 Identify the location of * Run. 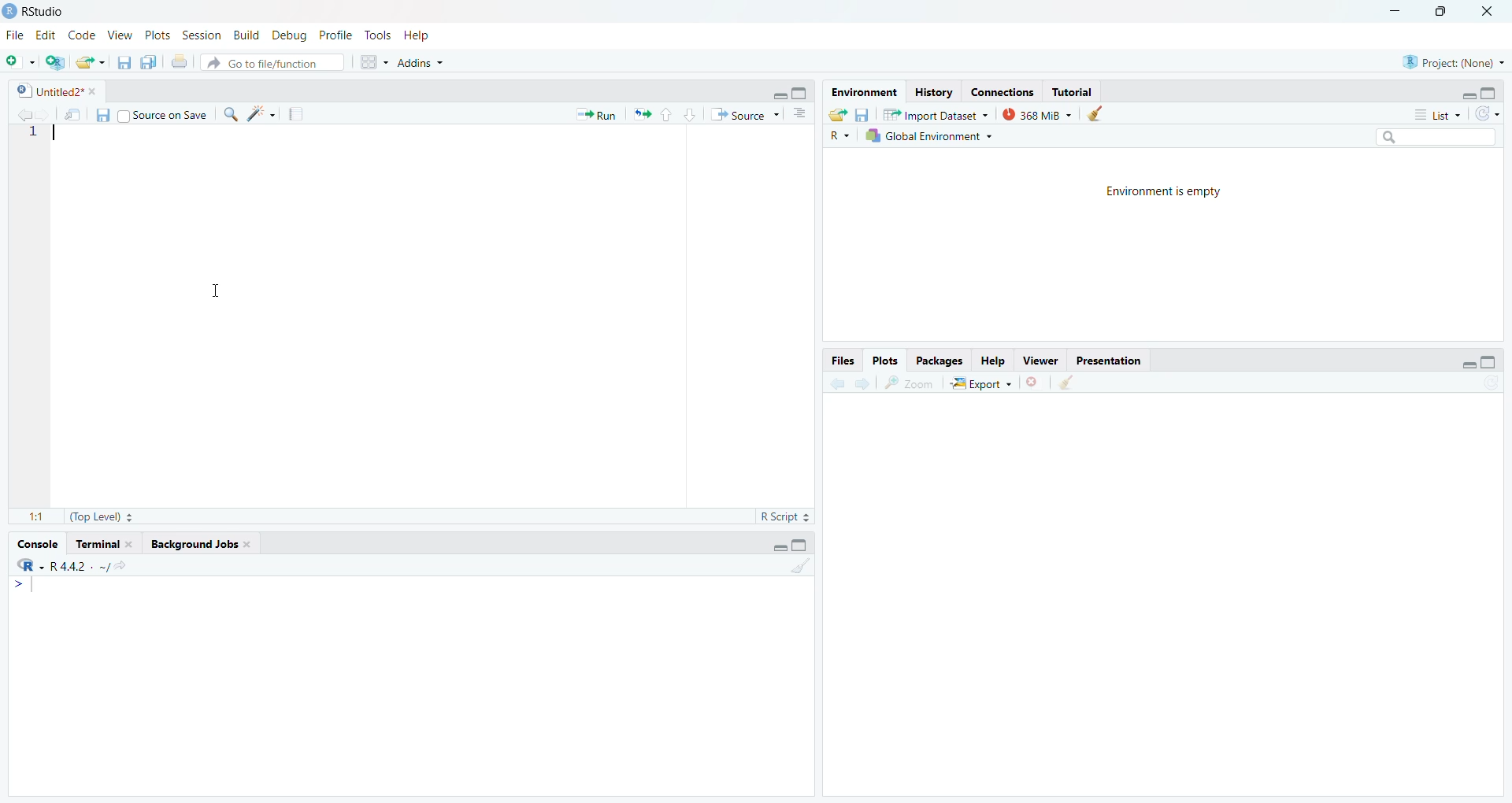
(595, 115).